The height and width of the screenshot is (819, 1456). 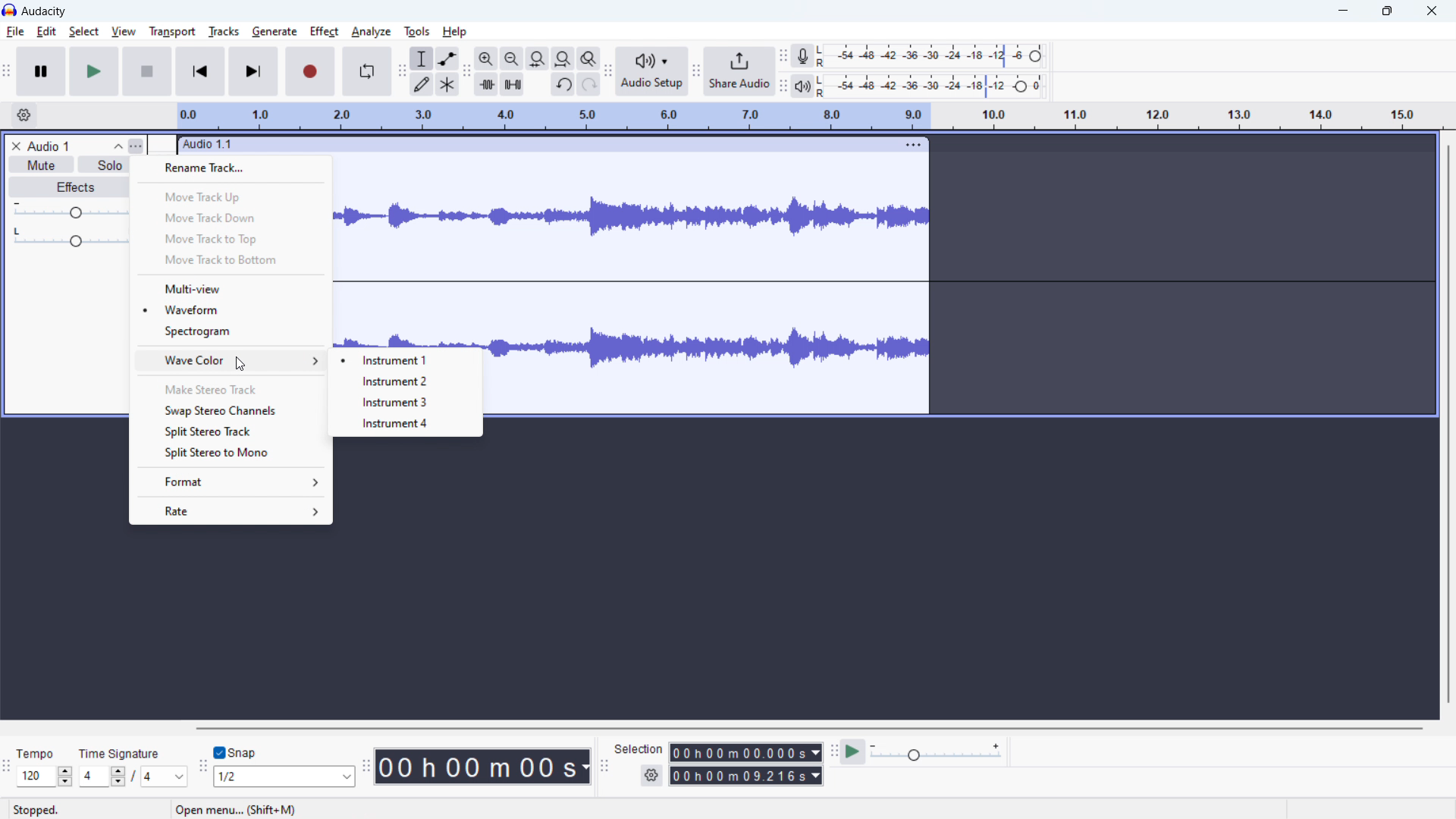 I want to click on transport toolbar, so click(x=7, y=73).